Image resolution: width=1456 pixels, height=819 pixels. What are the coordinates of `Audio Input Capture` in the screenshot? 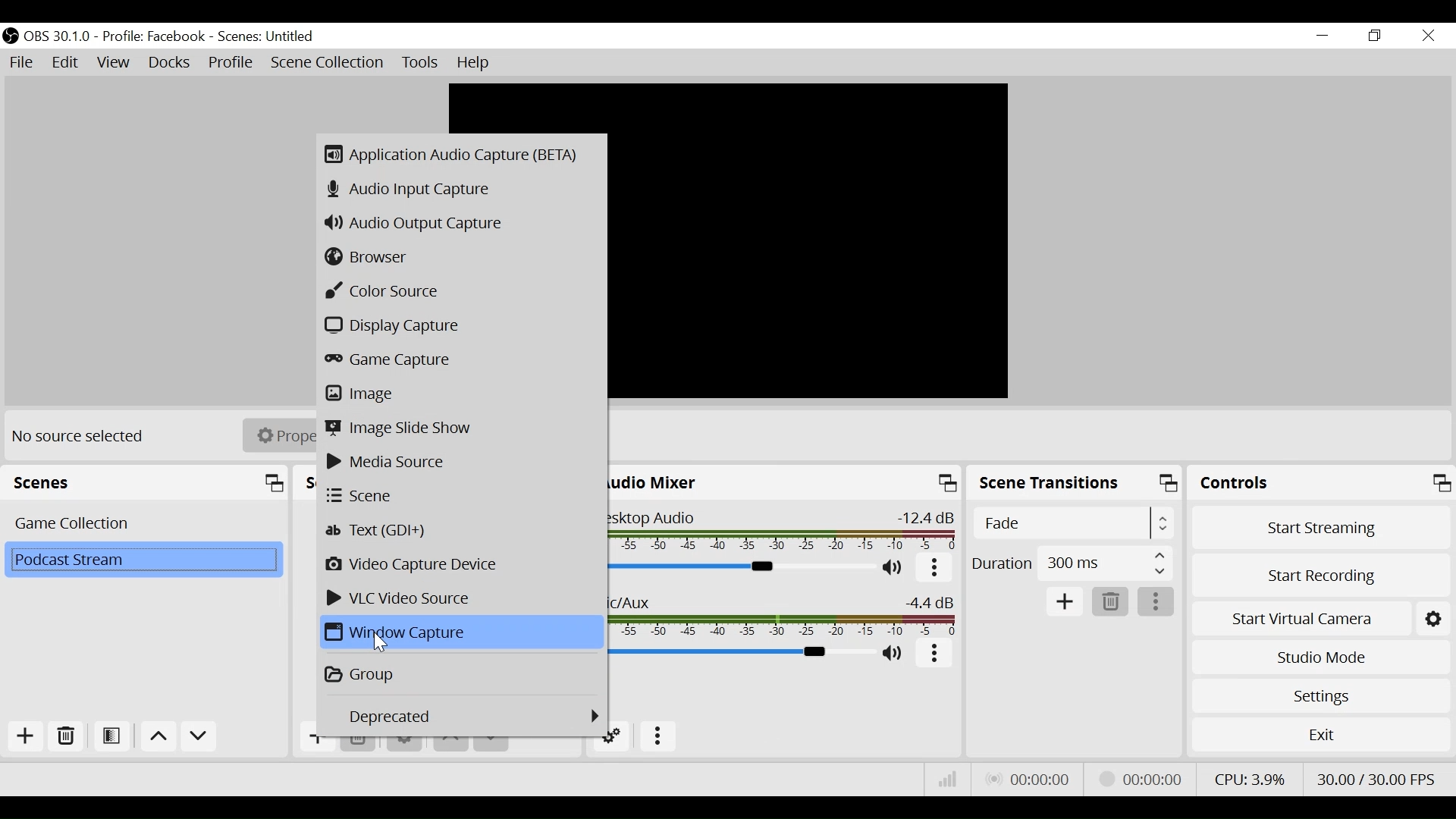 It's located at (460, 189).